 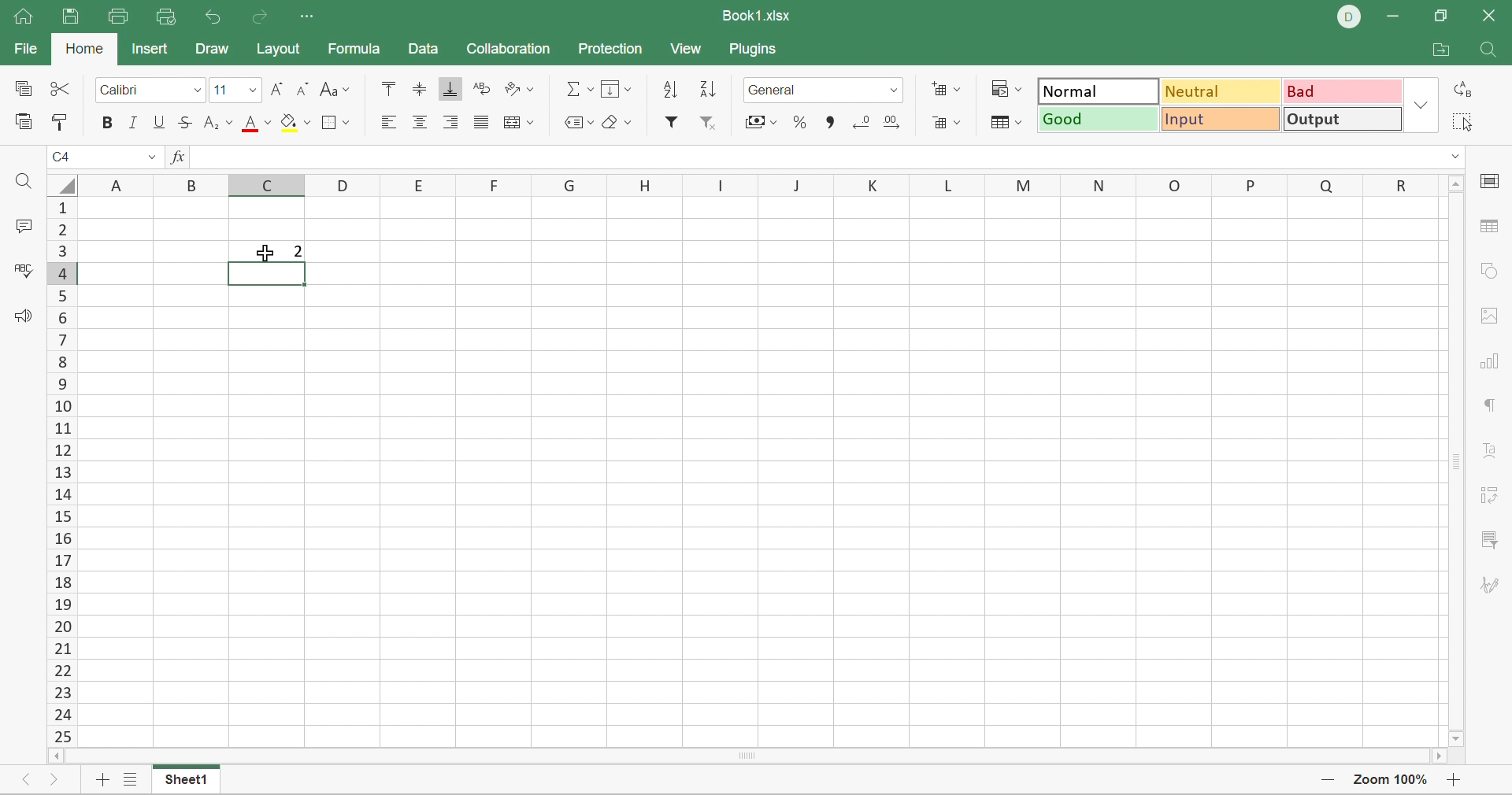 What do you see at coordinates (1221, 120) in the screenshot?
I see `Input` at bounding box center [1221, 120].